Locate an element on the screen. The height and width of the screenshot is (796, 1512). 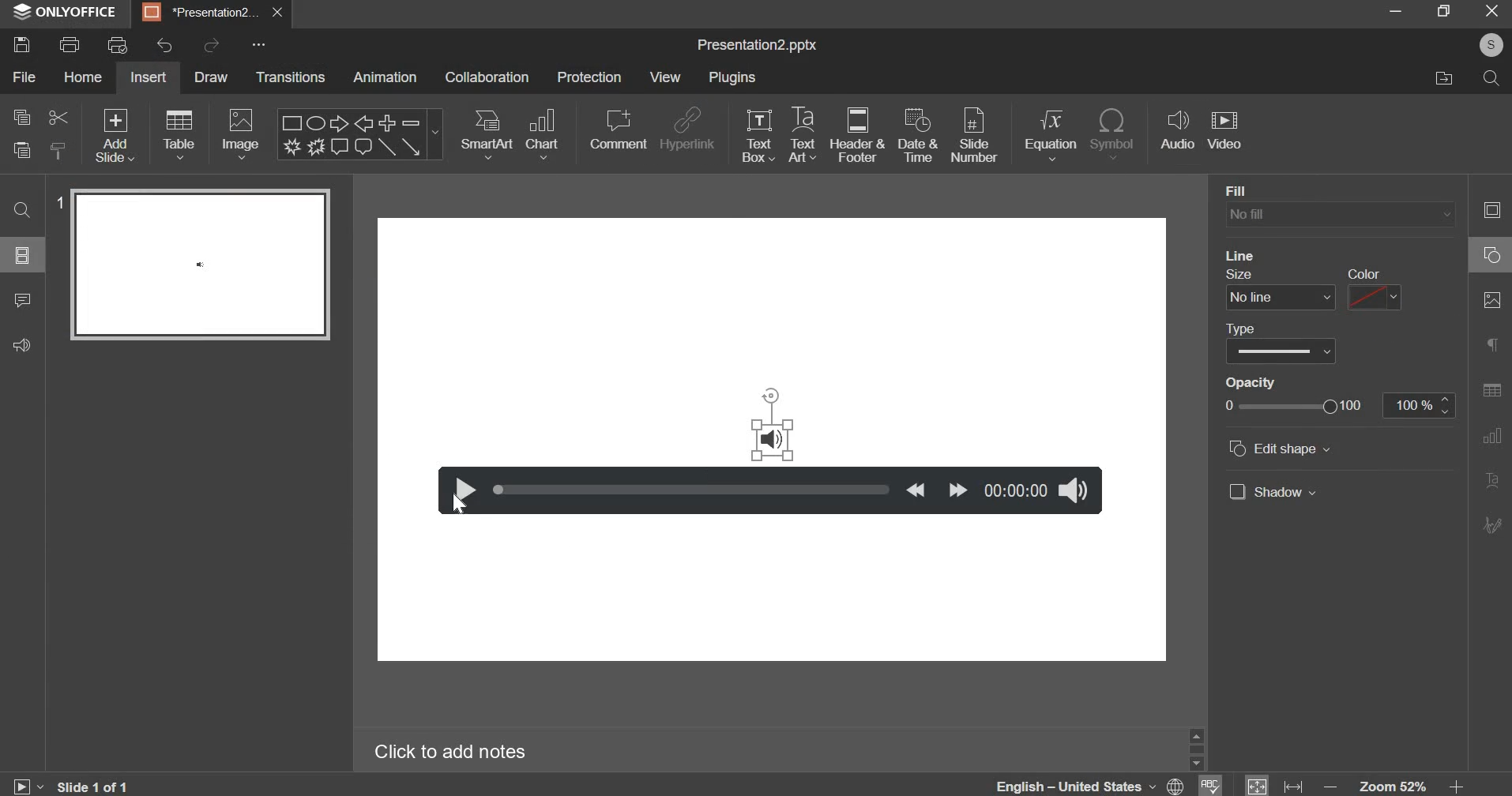
view is located at coordinates (665, 76).